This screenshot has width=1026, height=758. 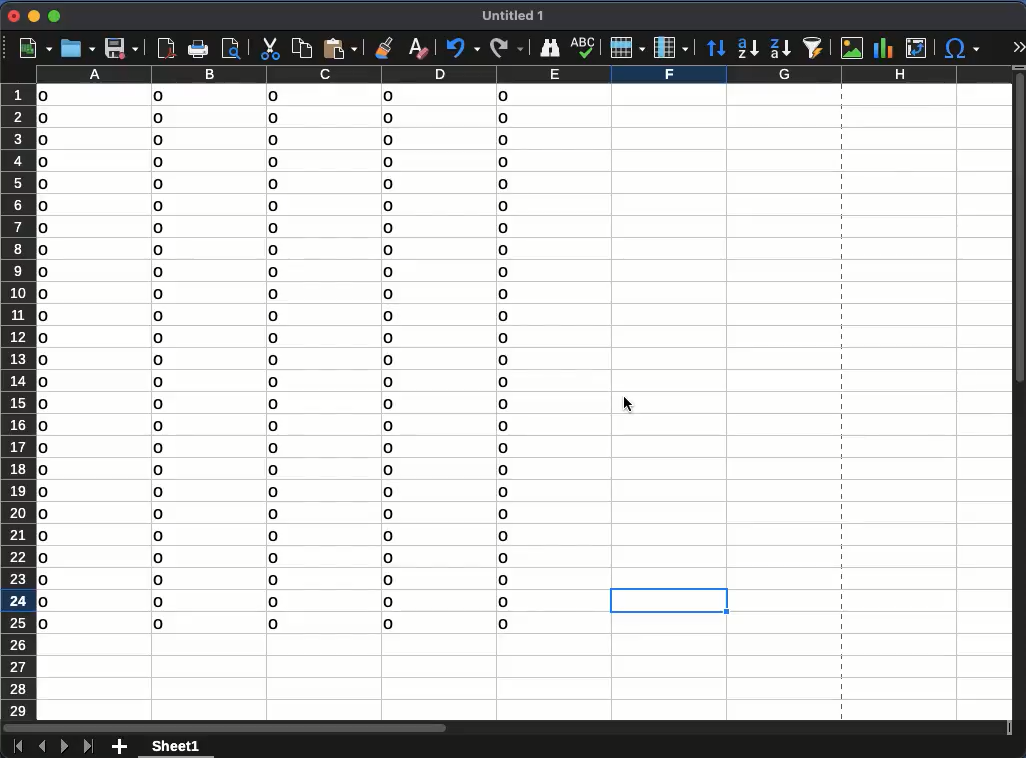 What do you see at coordinates (463, 49) in the screenshot?
I see `undo` at bounding box center [463, 49].